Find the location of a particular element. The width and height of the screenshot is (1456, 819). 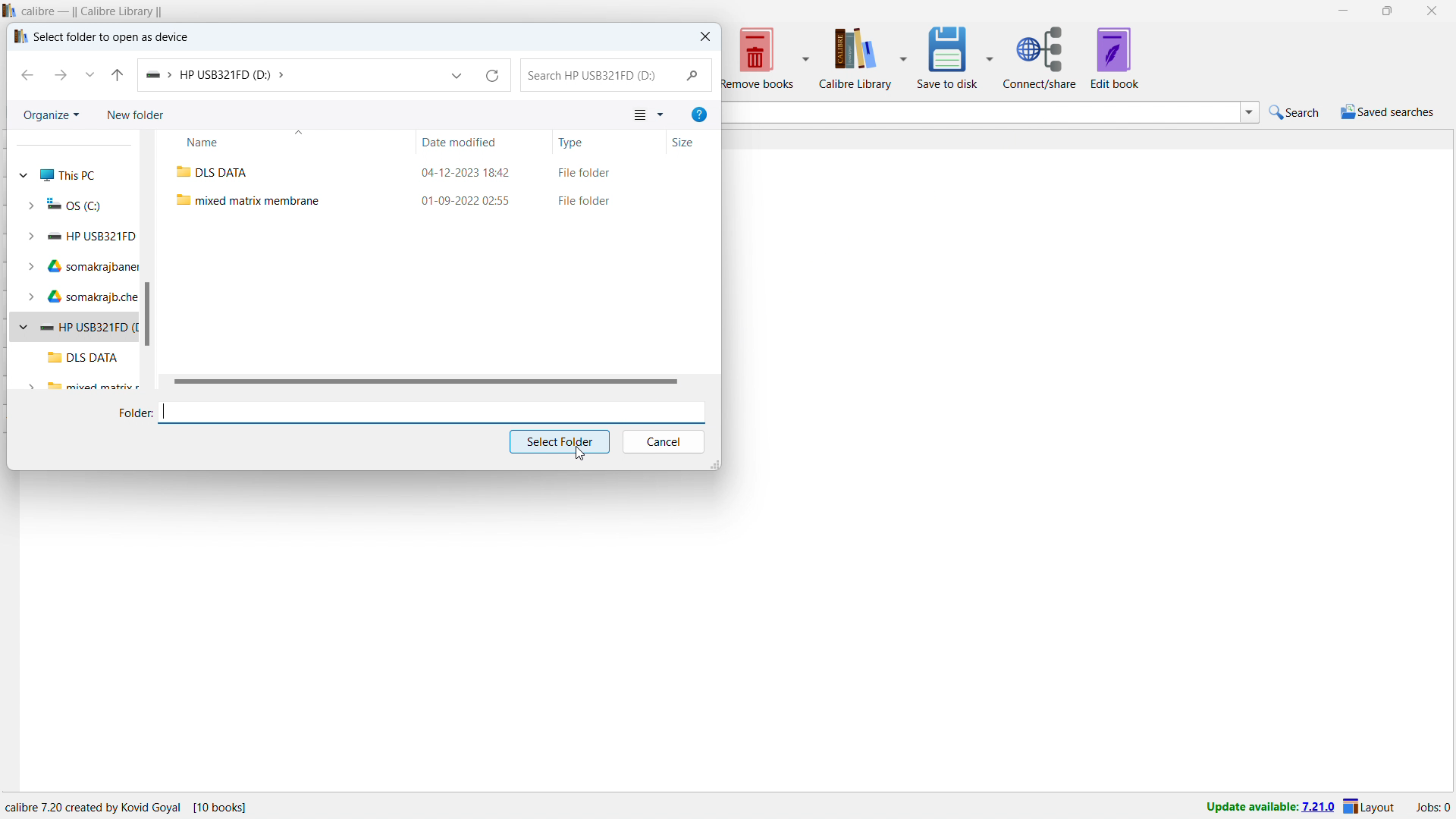

new folder is located at coordinates (133, 115).